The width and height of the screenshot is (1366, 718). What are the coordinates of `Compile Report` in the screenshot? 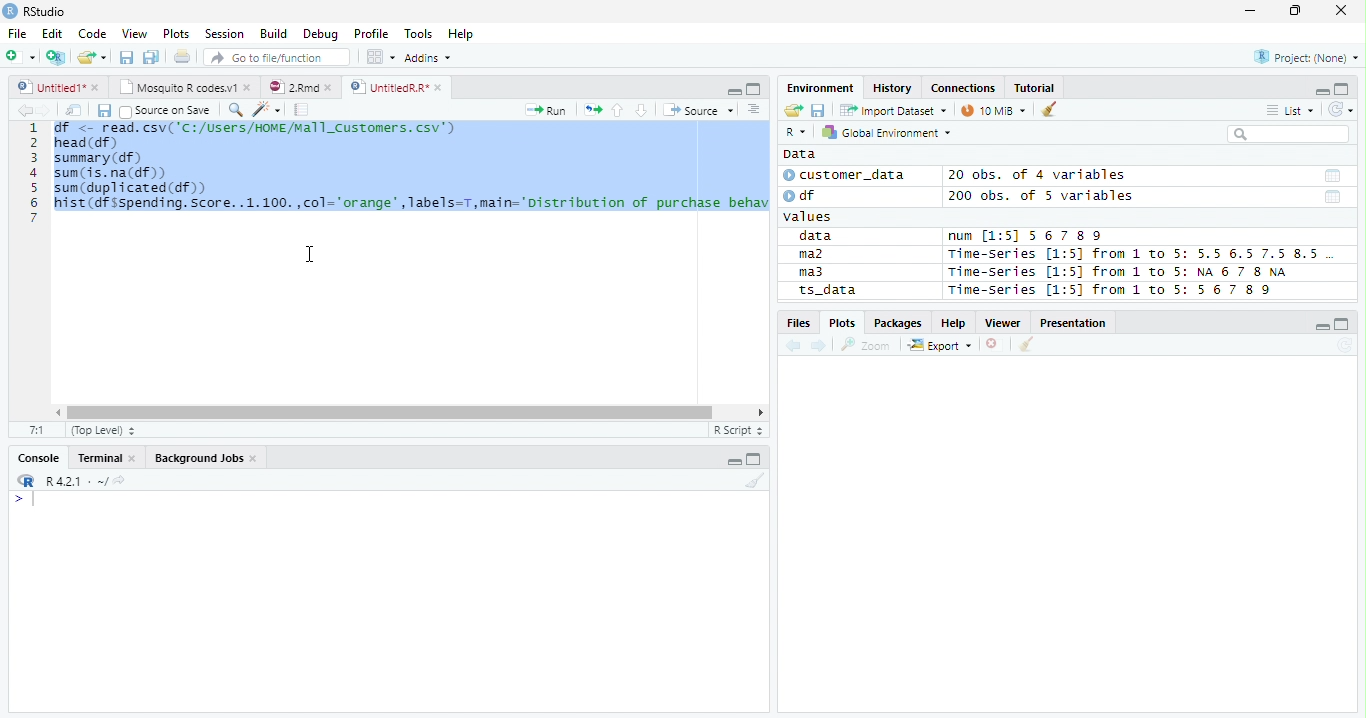 It's located at (302, 110).